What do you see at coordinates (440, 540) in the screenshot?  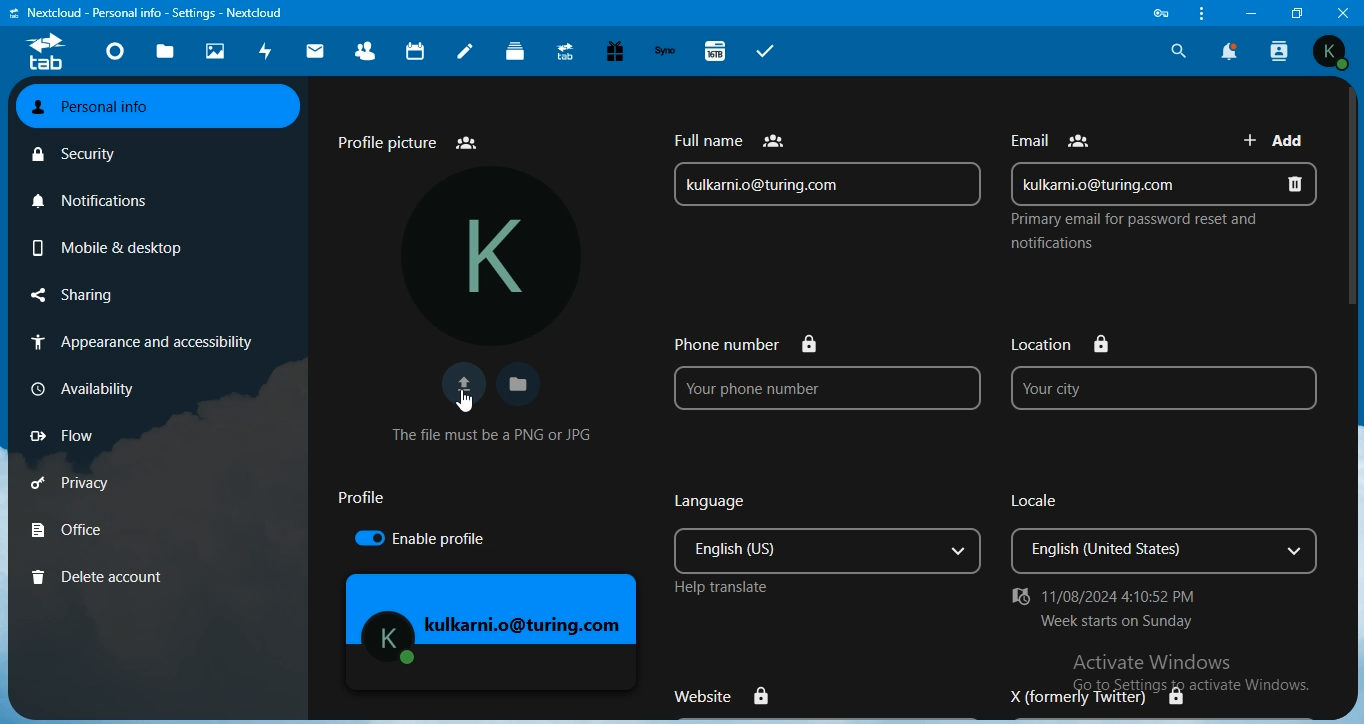 I see `enable proflle` at bounding box center [440, 540].